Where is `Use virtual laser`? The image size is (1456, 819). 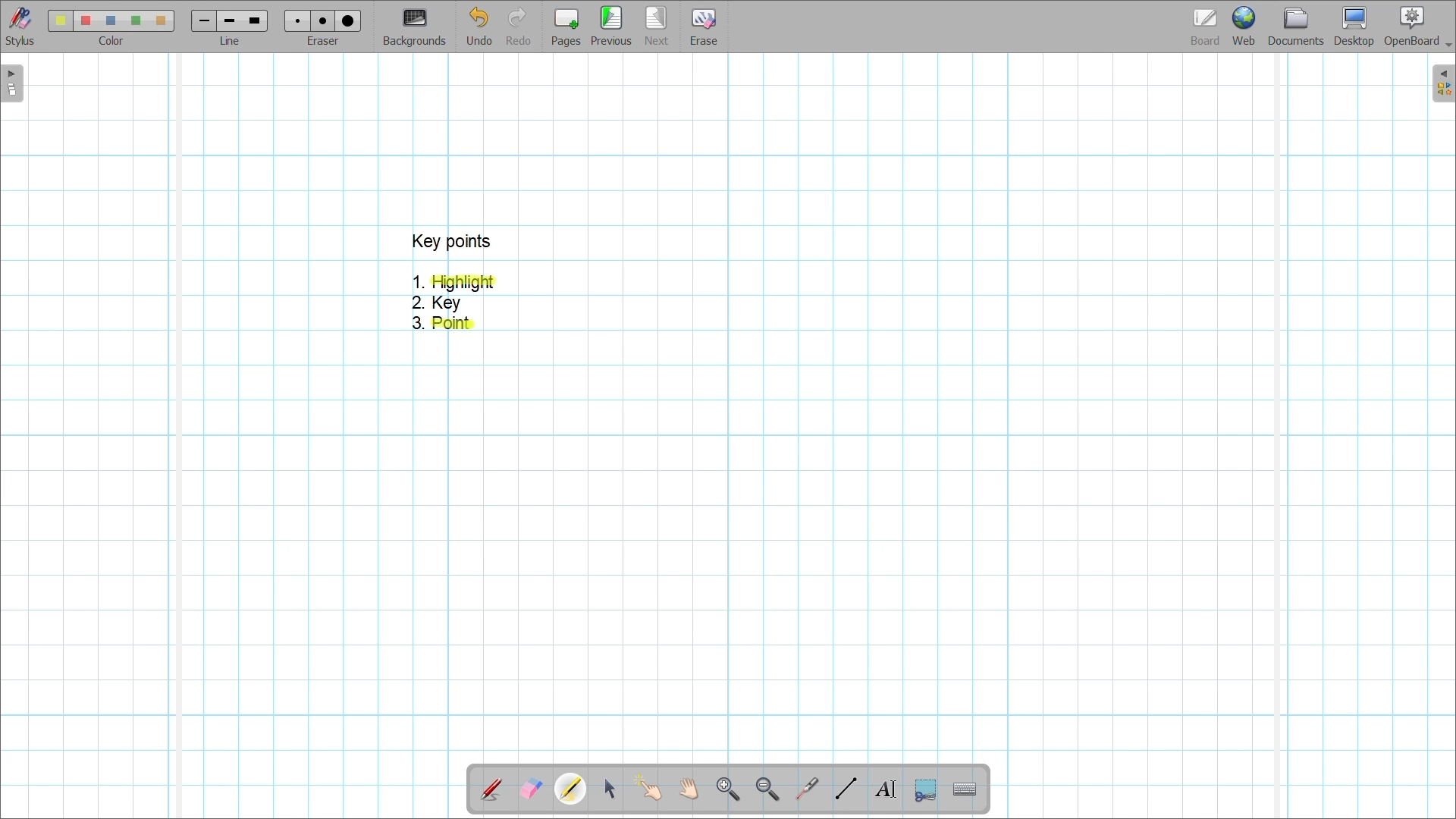
Use virtual laser is located at coordinates (806, 789).